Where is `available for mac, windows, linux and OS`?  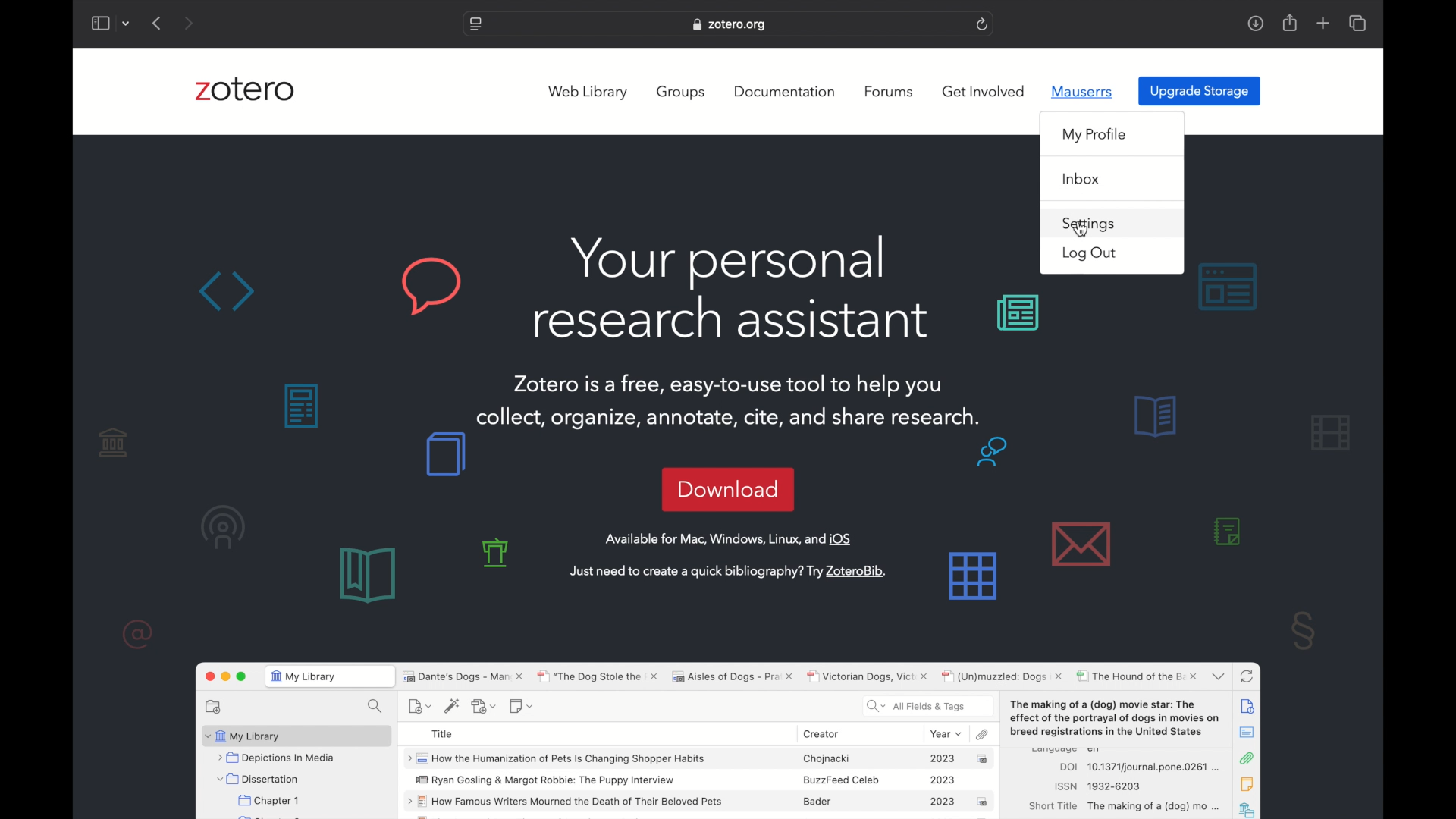
available for mac, windows, linux and OS is located at coordinates (730, 539).